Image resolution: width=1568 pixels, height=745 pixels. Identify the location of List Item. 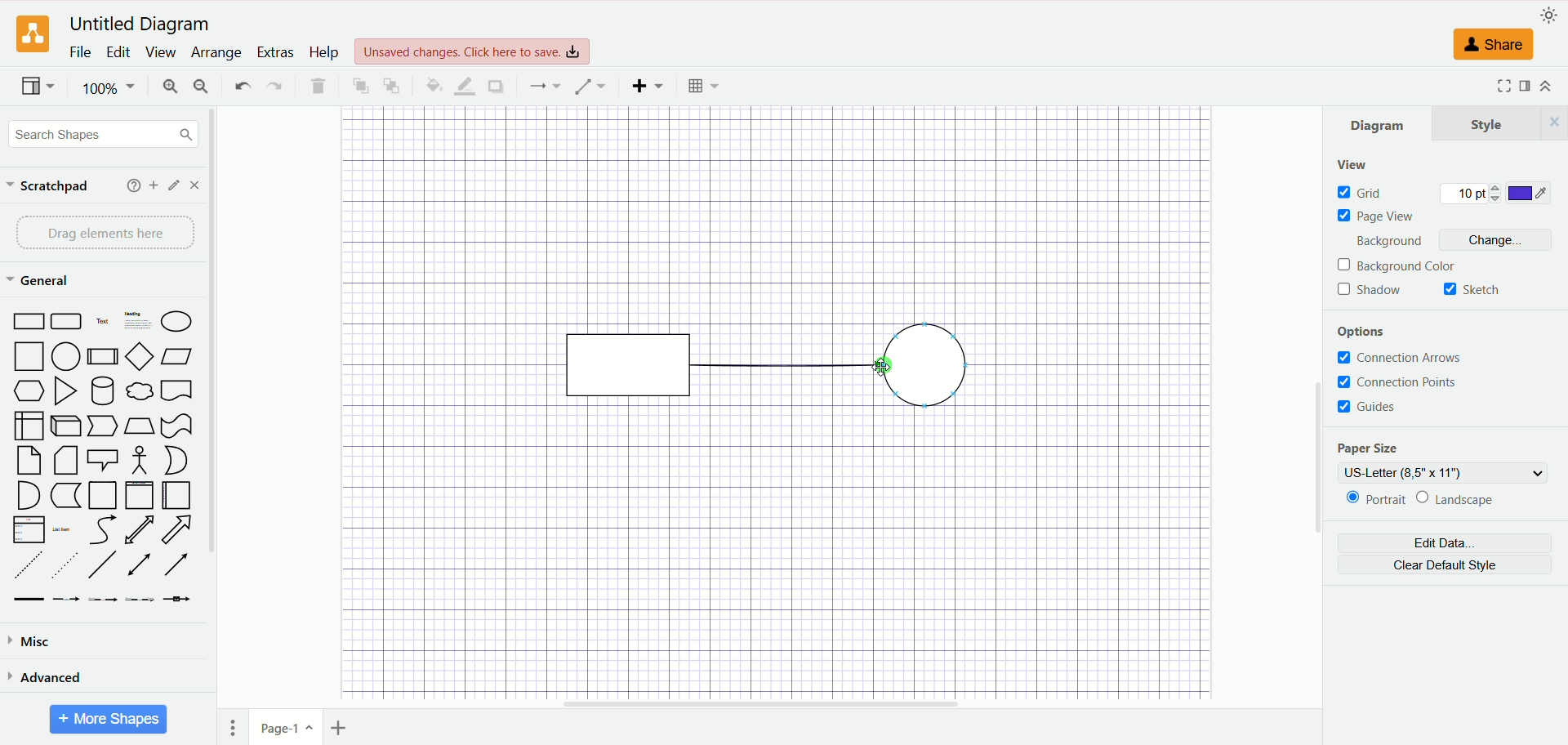
(64, 530).